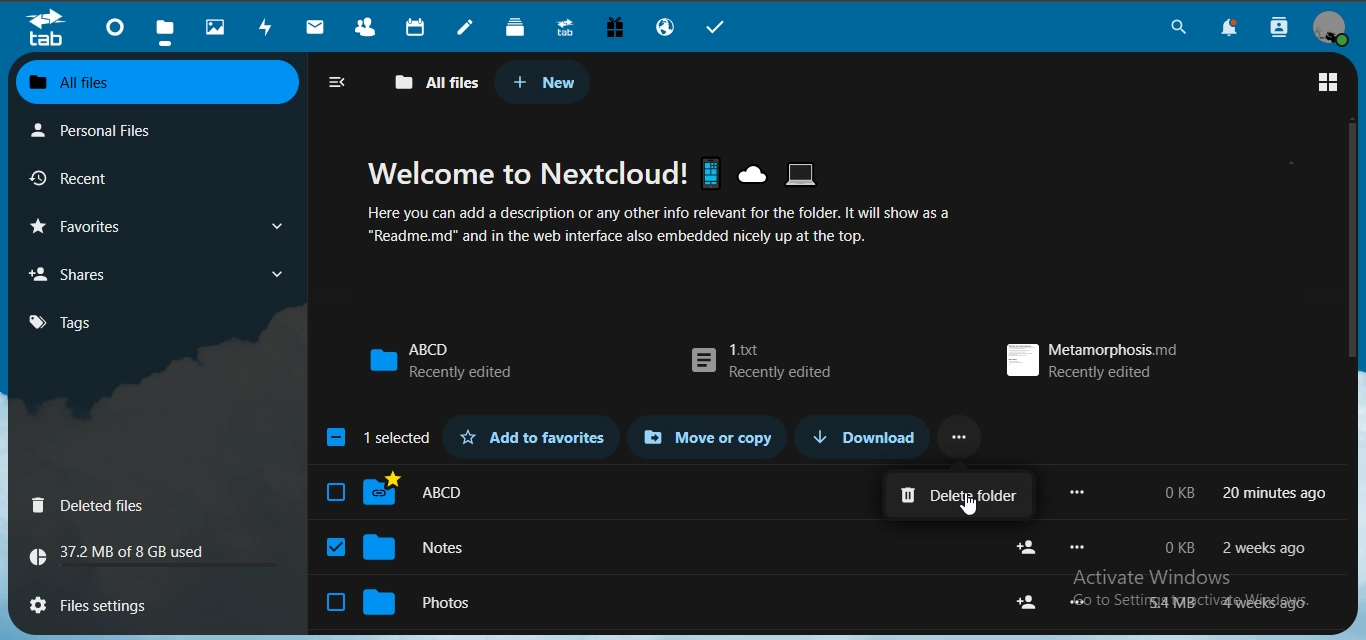 This screenshot has width=1366, height=640. What do you see at coordinates (166, 26) in the screenshot?
I see `files` at bounding box center [166, 26].